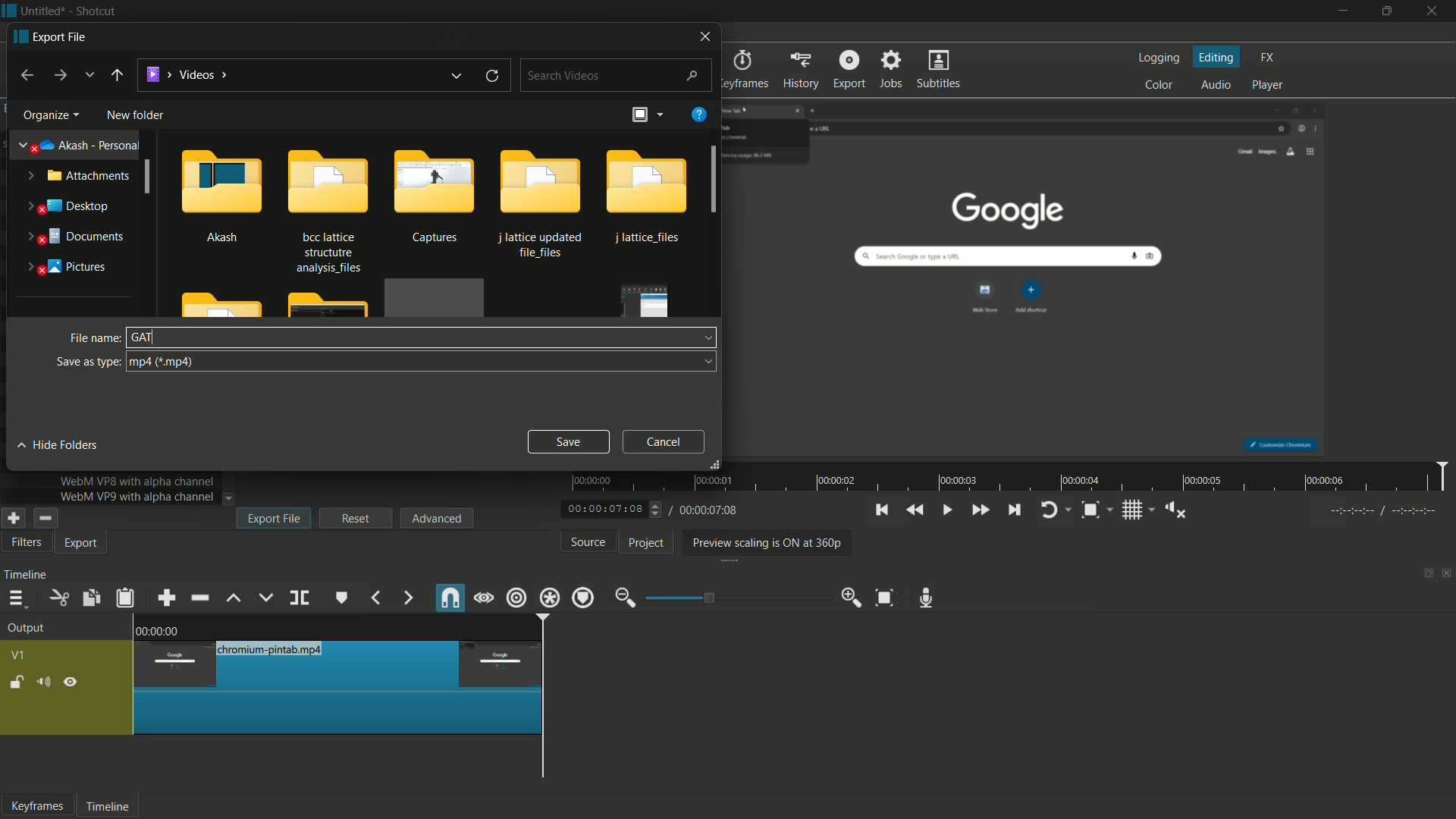 The height and width of the screenshot is (819, 1456). What do you see at coordinates (716, 178) in the screenshot?
I see `scroll bar` at bounding box center [716, 178].